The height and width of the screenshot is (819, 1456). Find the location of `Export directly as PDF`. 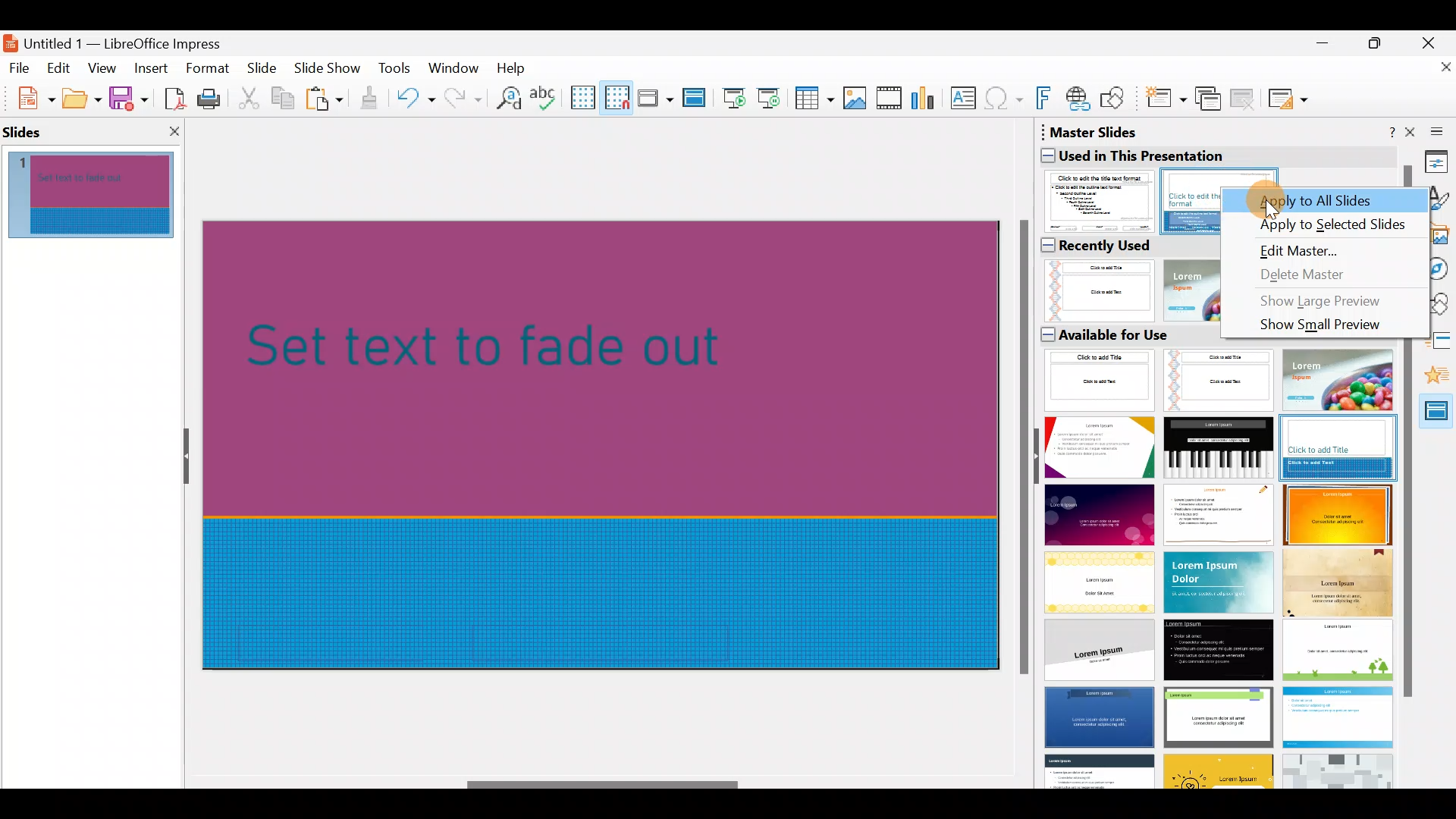

Export directly as PDF is located at coordinates (171, 97).